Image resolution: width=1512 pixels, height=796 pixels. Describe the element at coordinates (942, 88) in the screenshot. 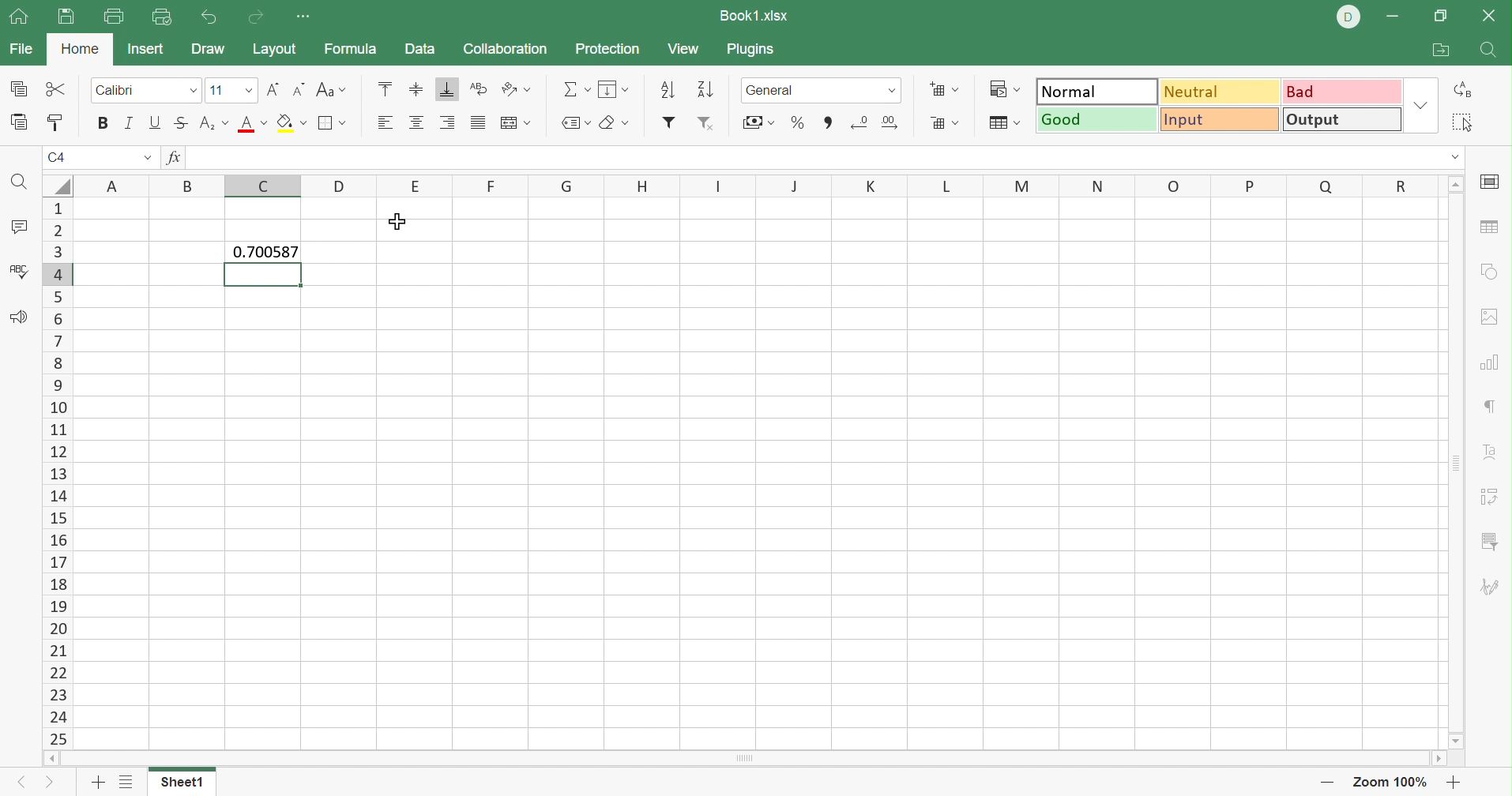

I see `Add cell` at that location.